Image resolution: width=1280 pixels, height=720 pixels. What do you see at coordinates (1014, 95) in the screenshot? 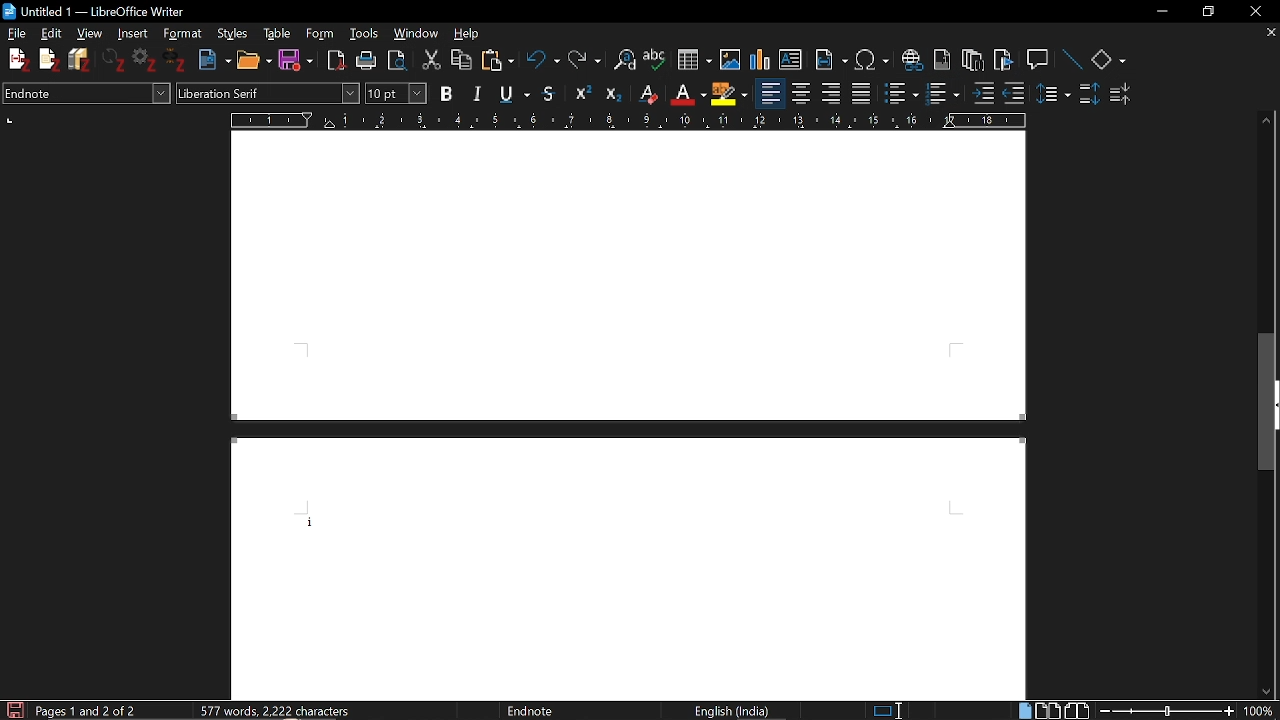
I see `Decrease indent` at bounding box center [1014, 95].